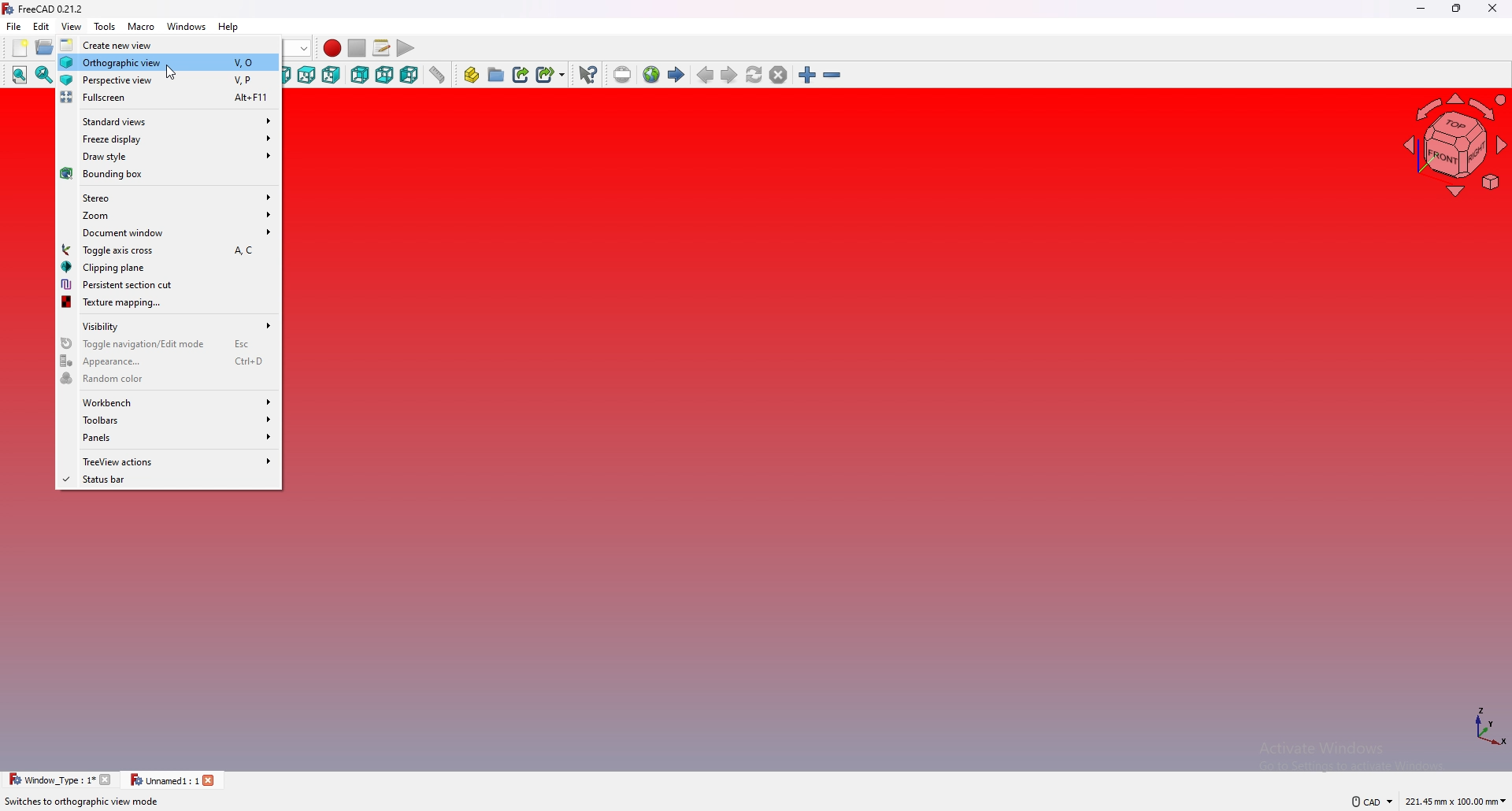 The image size is (1512, 811). Describe the element at coordinates (437, 74) in the screenshot. I see `measure distance` at that location.